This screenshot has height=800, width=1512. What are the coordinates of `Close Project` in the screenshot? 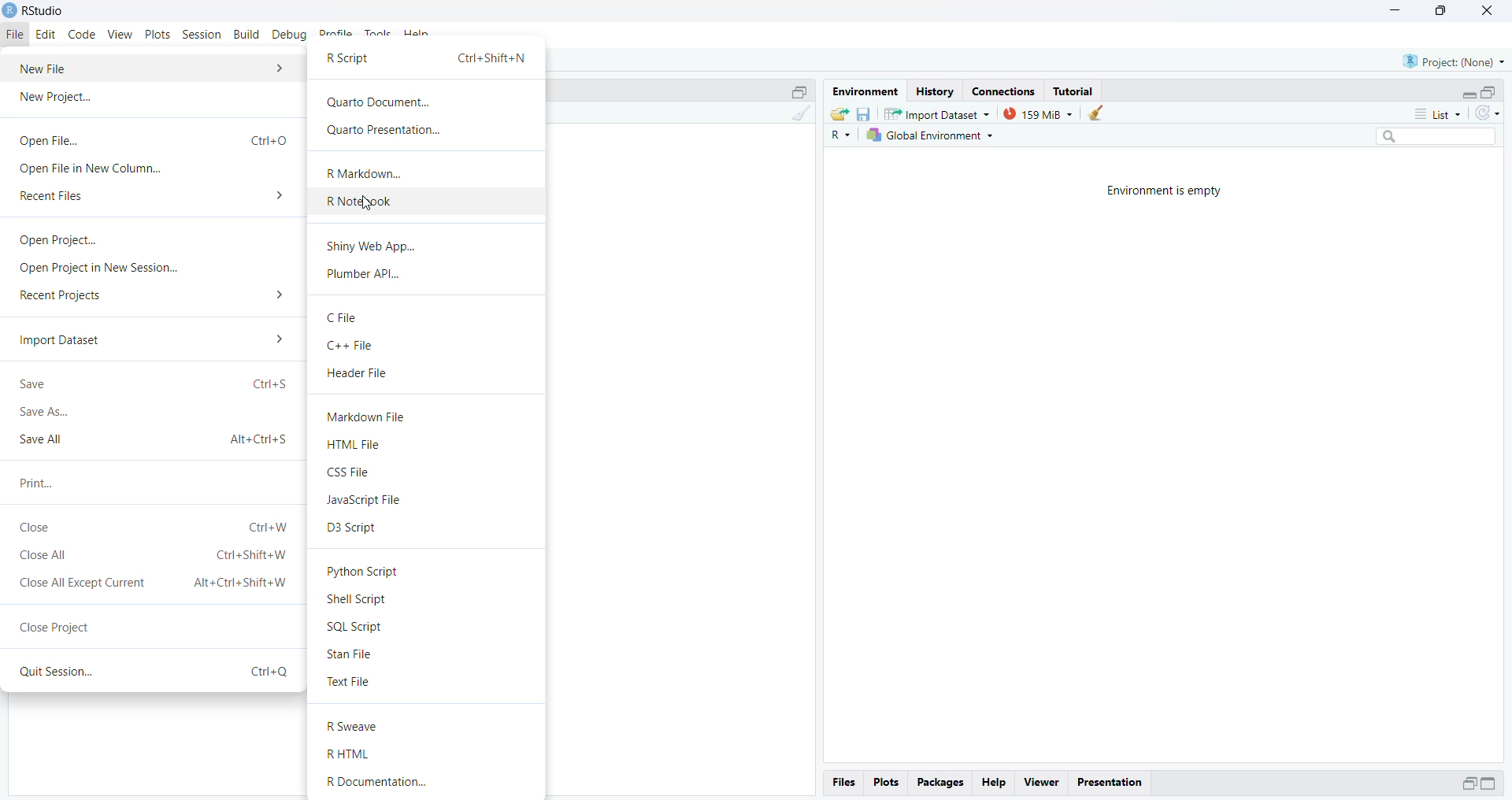 It's located at (56, 624).